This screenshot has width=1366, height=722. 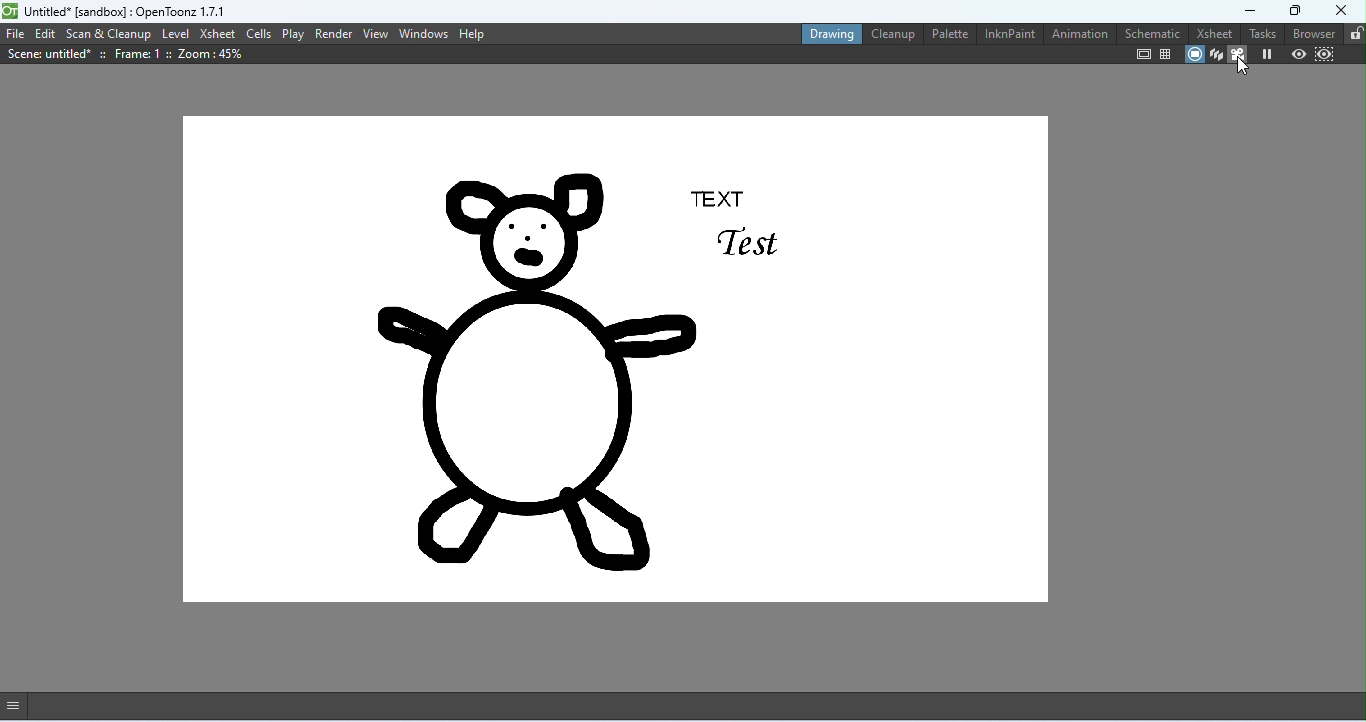 I want to click on tasks, so click(x=1261, y=32).